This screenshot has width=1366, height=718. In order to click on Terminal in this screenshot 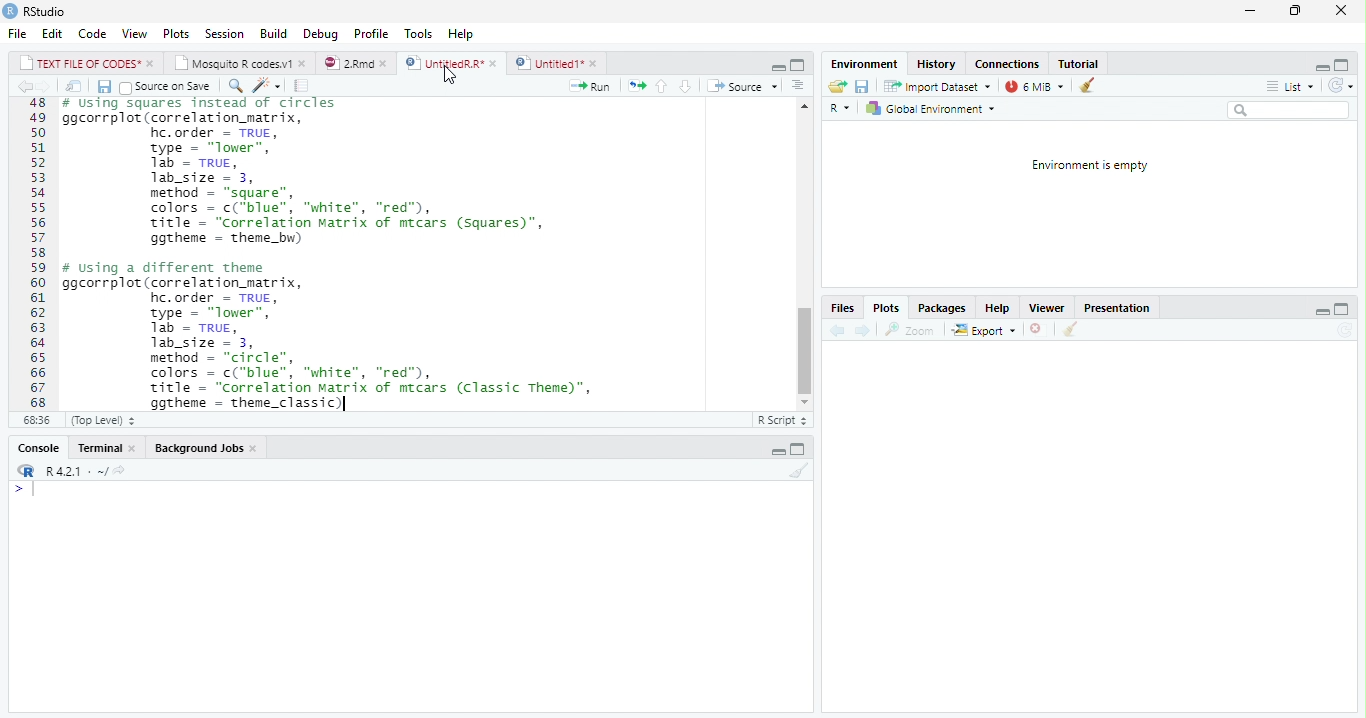, I will do `click(105, 447)`.